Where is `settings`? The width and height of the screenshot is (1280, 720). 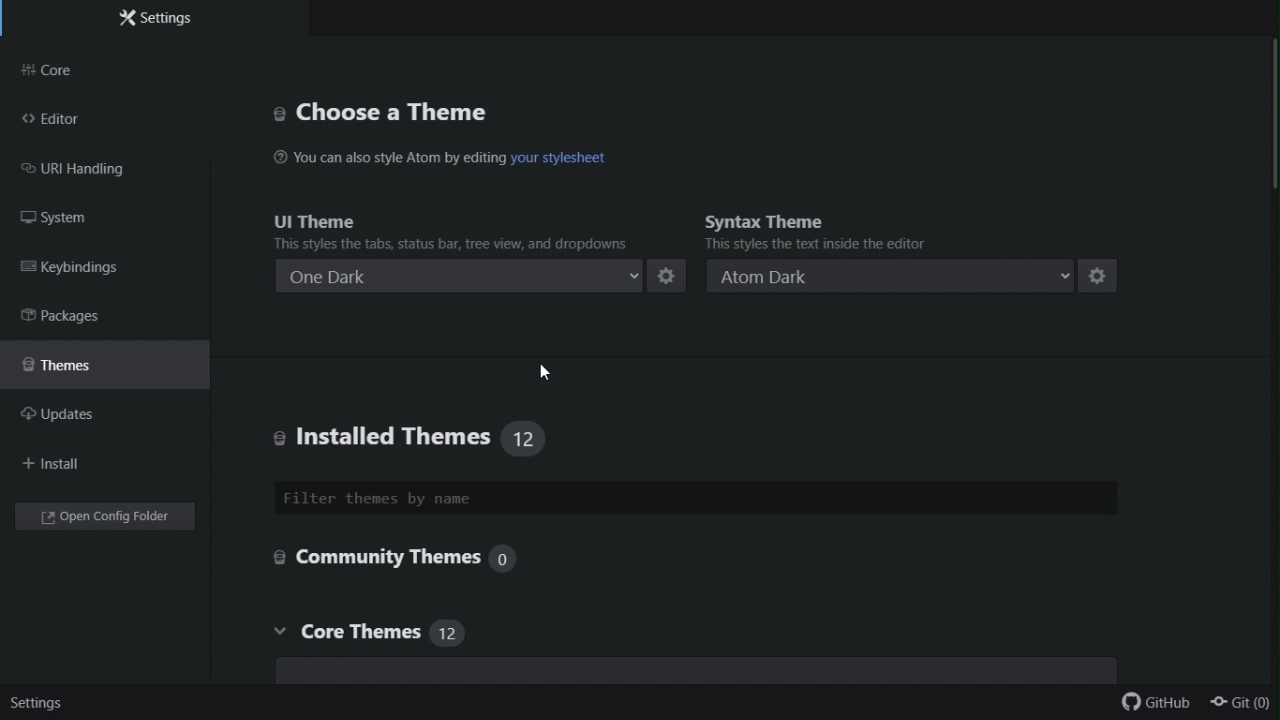
settings is located at coordinates (670, 275).